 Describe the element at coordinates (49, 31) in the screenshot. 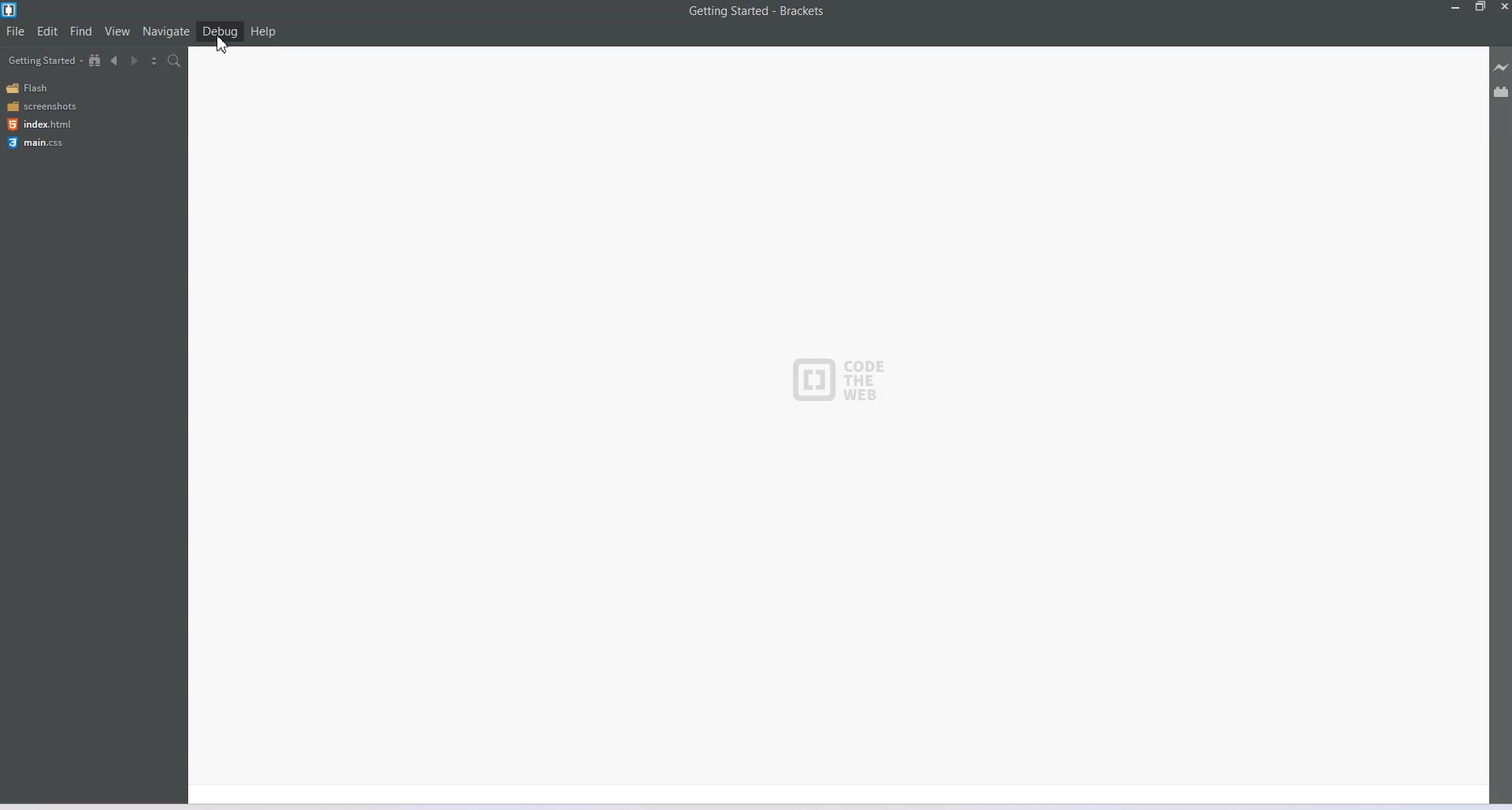

I see `Edit` at that location.